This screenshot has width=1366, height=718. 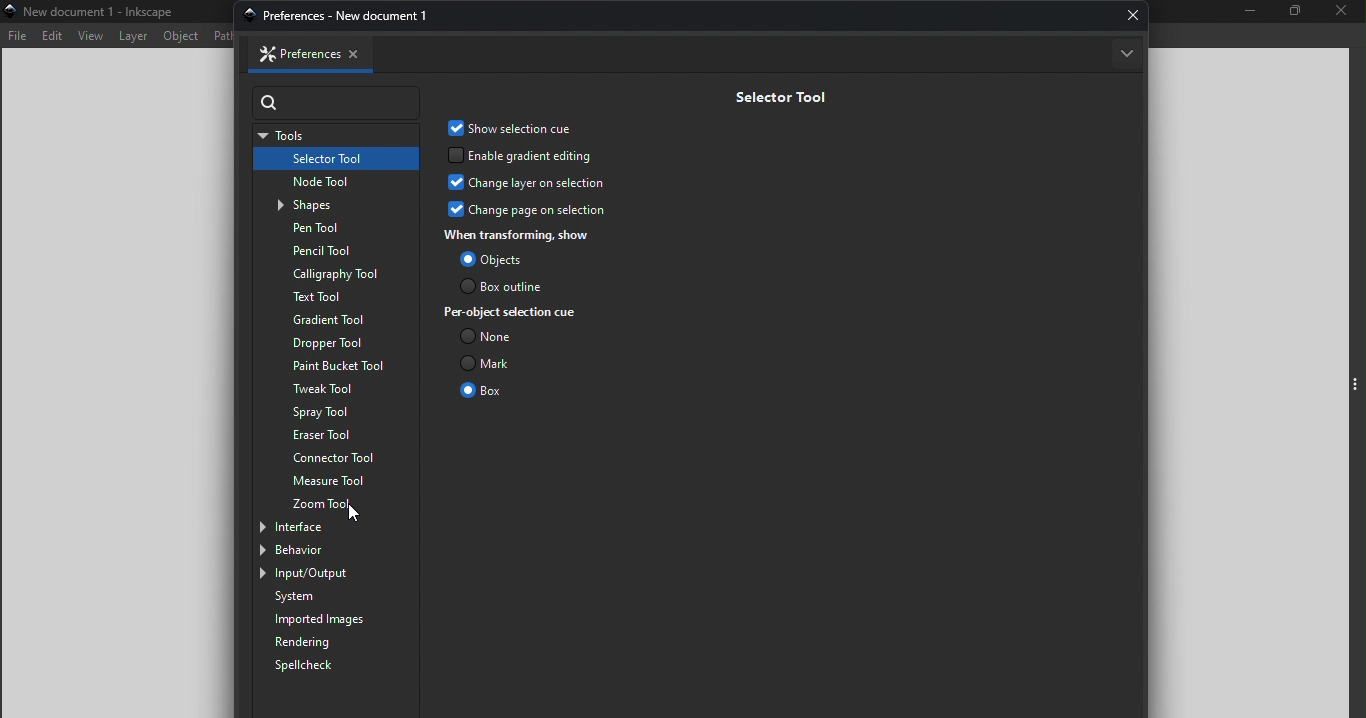 I want to click on System, so click(x=331, y=596).